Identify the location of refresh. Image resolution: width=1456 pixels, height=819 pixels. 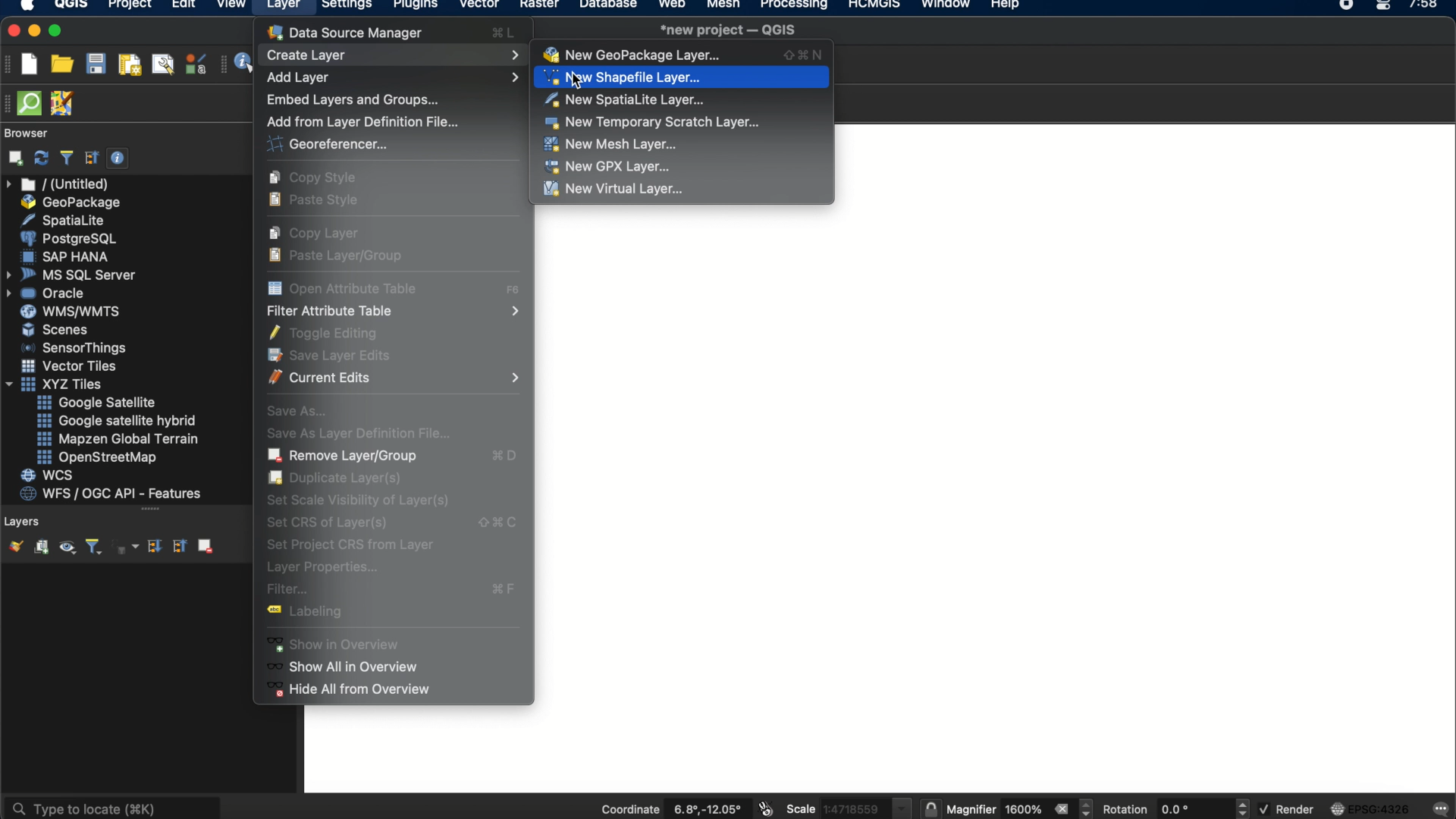
(42, 158).